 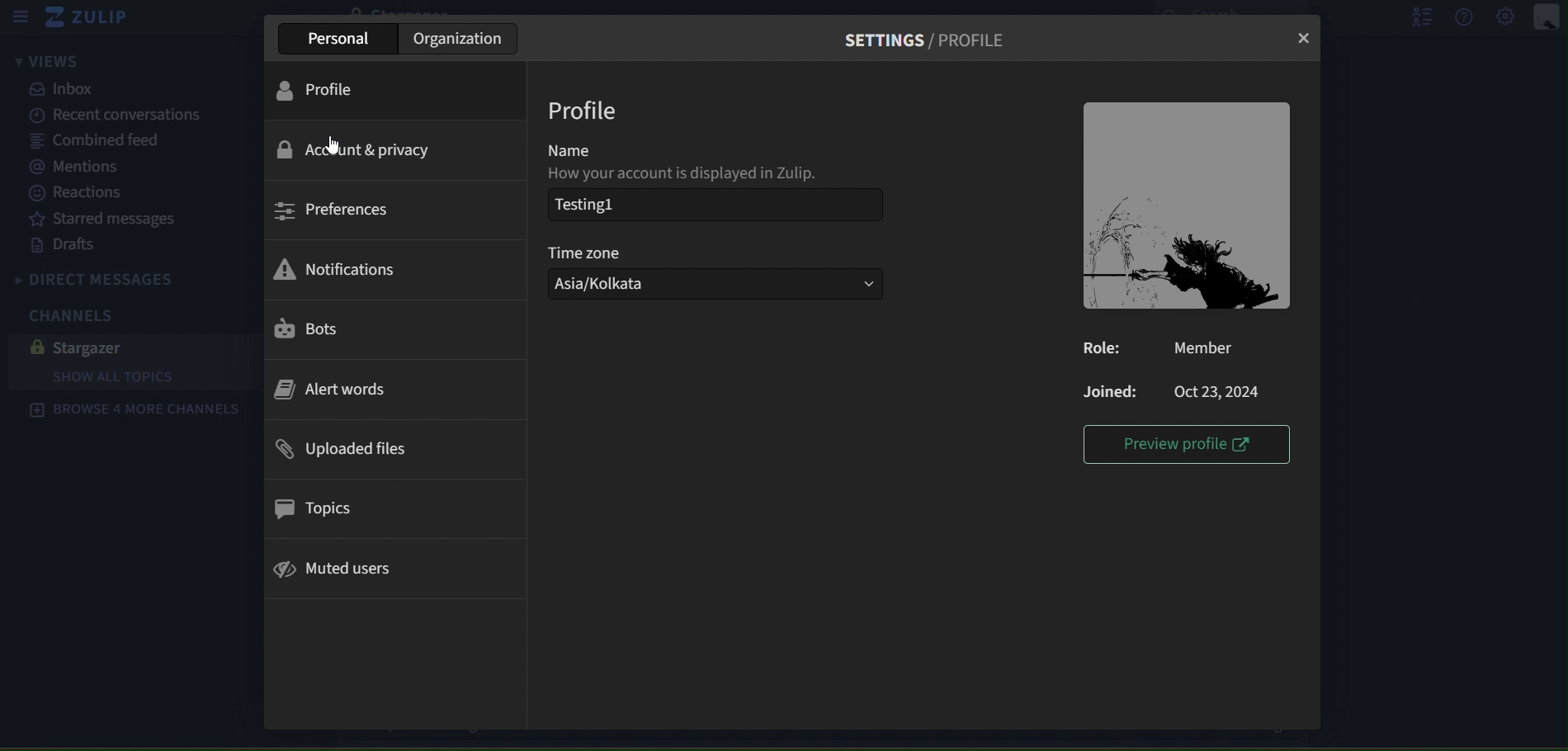 I want to click on bots, so click(x=309, y=330).